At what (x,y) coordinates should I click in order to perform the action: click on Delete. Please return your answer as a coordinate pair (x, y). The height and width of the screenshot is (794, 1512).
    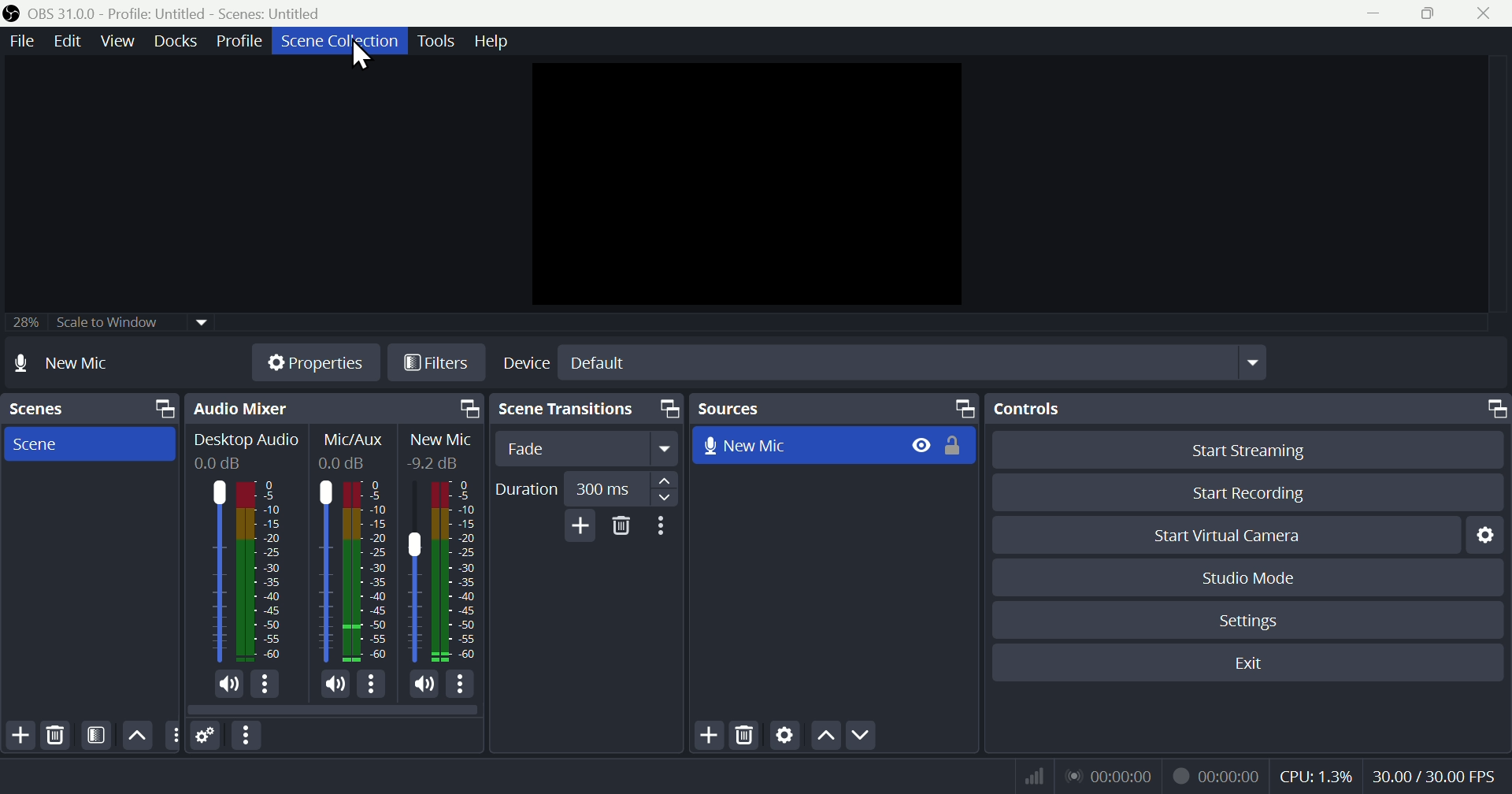
    Looking at the image, I should click on (62, 735).